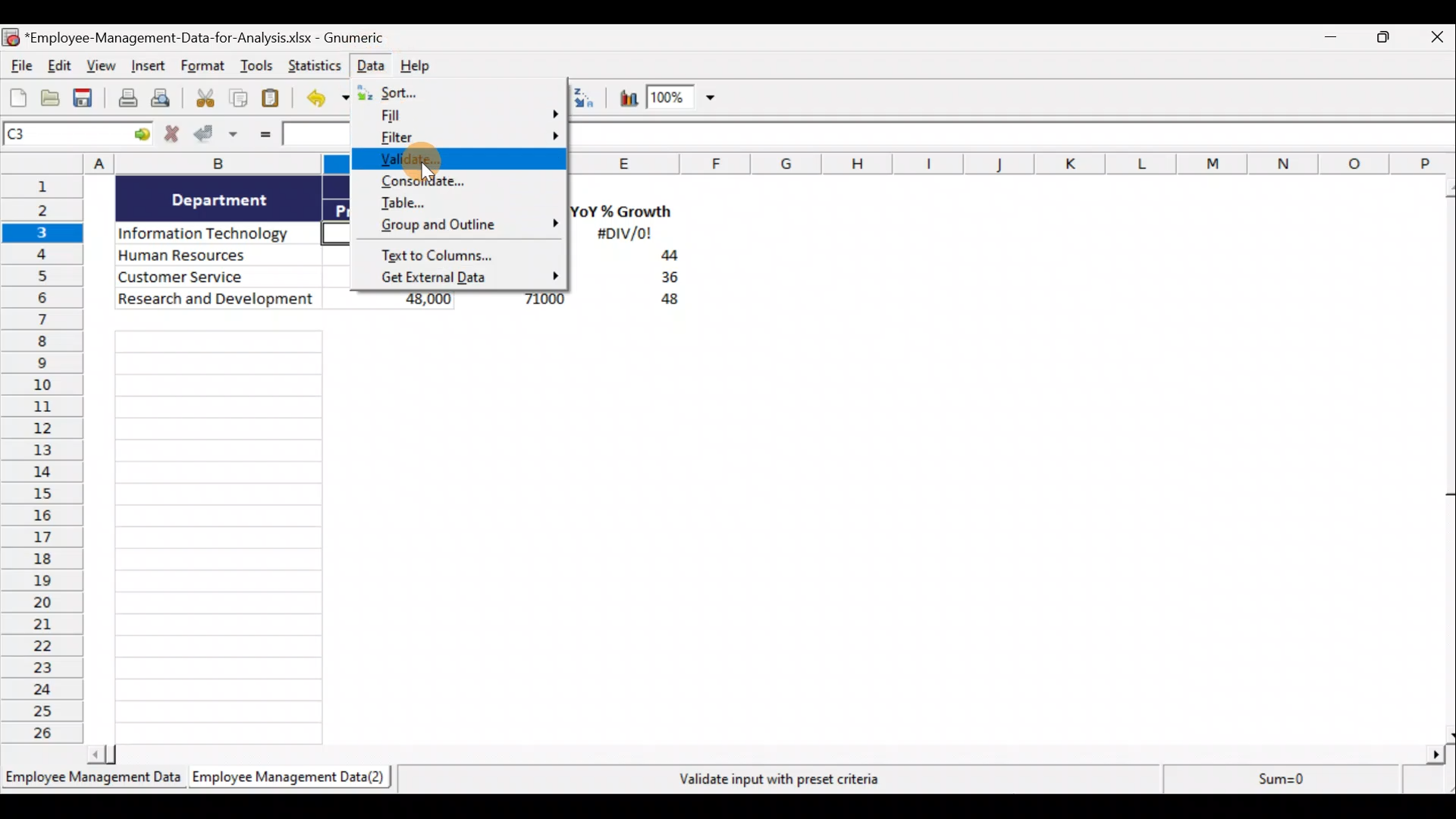  Describe the element at coordinates (172, 136) in the screenshot. I see `Cancel changes` at that location.